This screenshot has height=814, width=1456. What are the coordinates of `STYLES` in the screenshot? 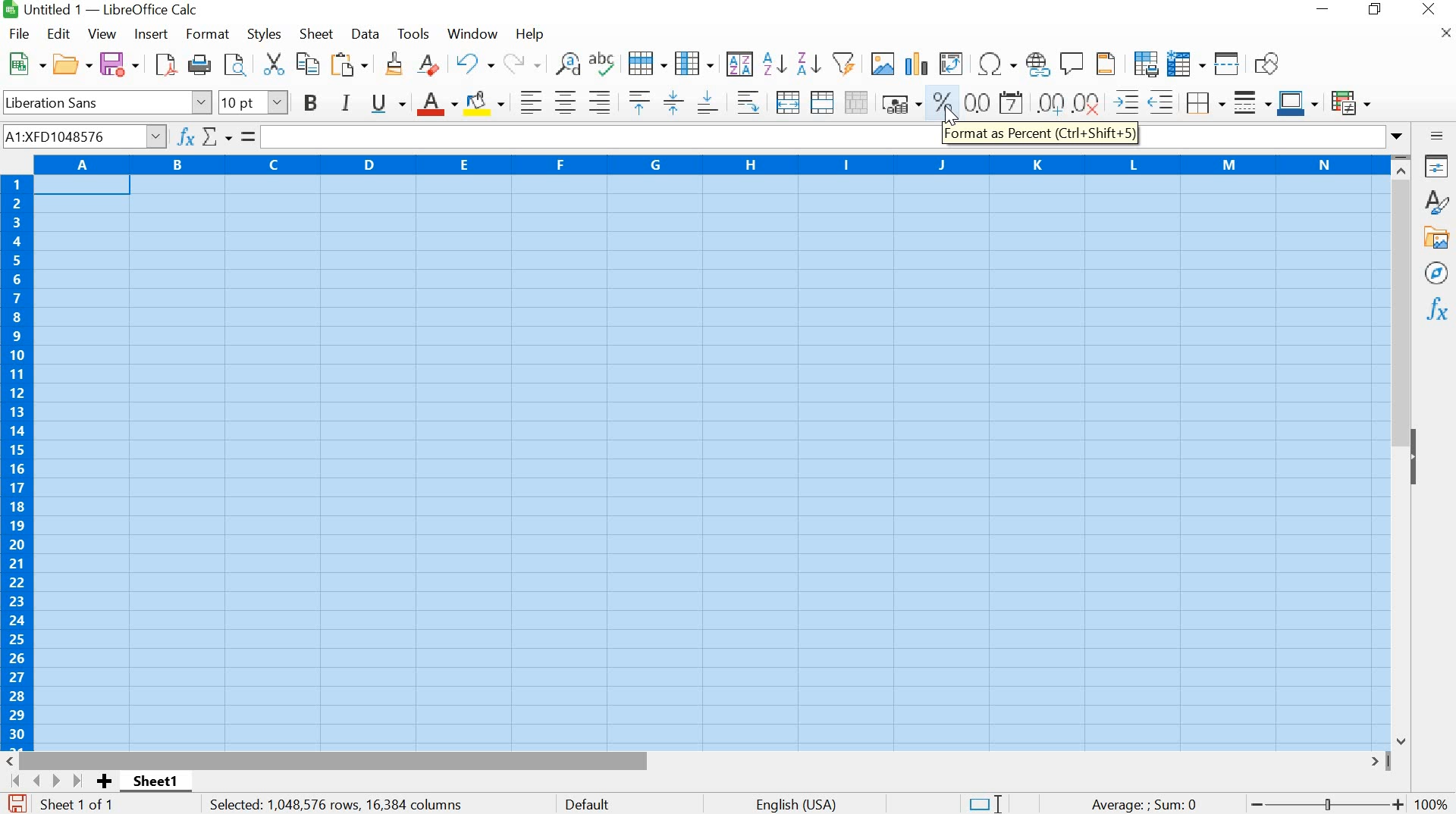 It's located at (264, 33).